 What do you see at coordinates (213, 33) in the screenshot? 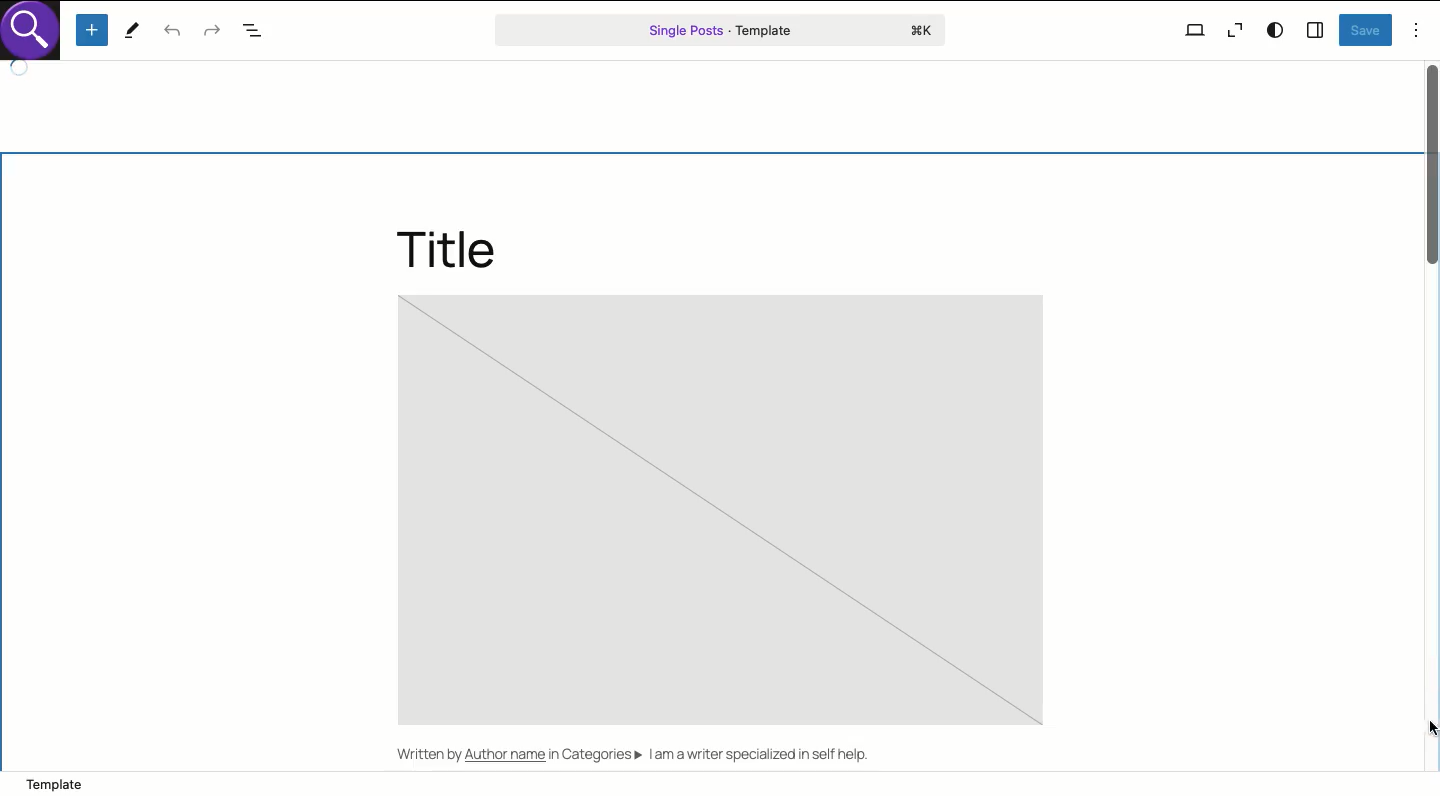
I see `Redo` at bounding box center [213, 33].